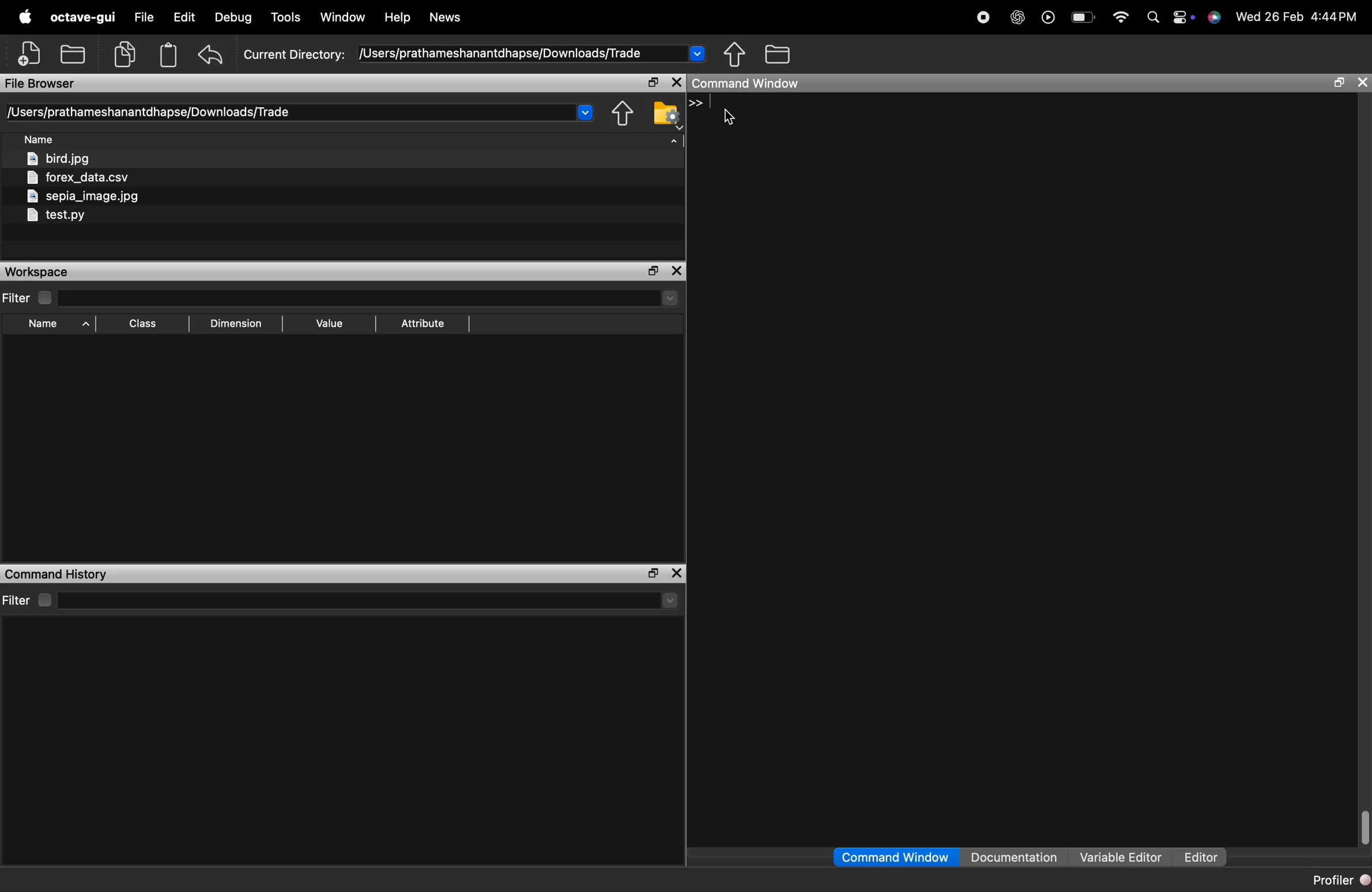 This screenshot has width=1372, height=892. Describe the element at coordinates (1340, 84) in the screenshot. I see `open in separate window` at that location.